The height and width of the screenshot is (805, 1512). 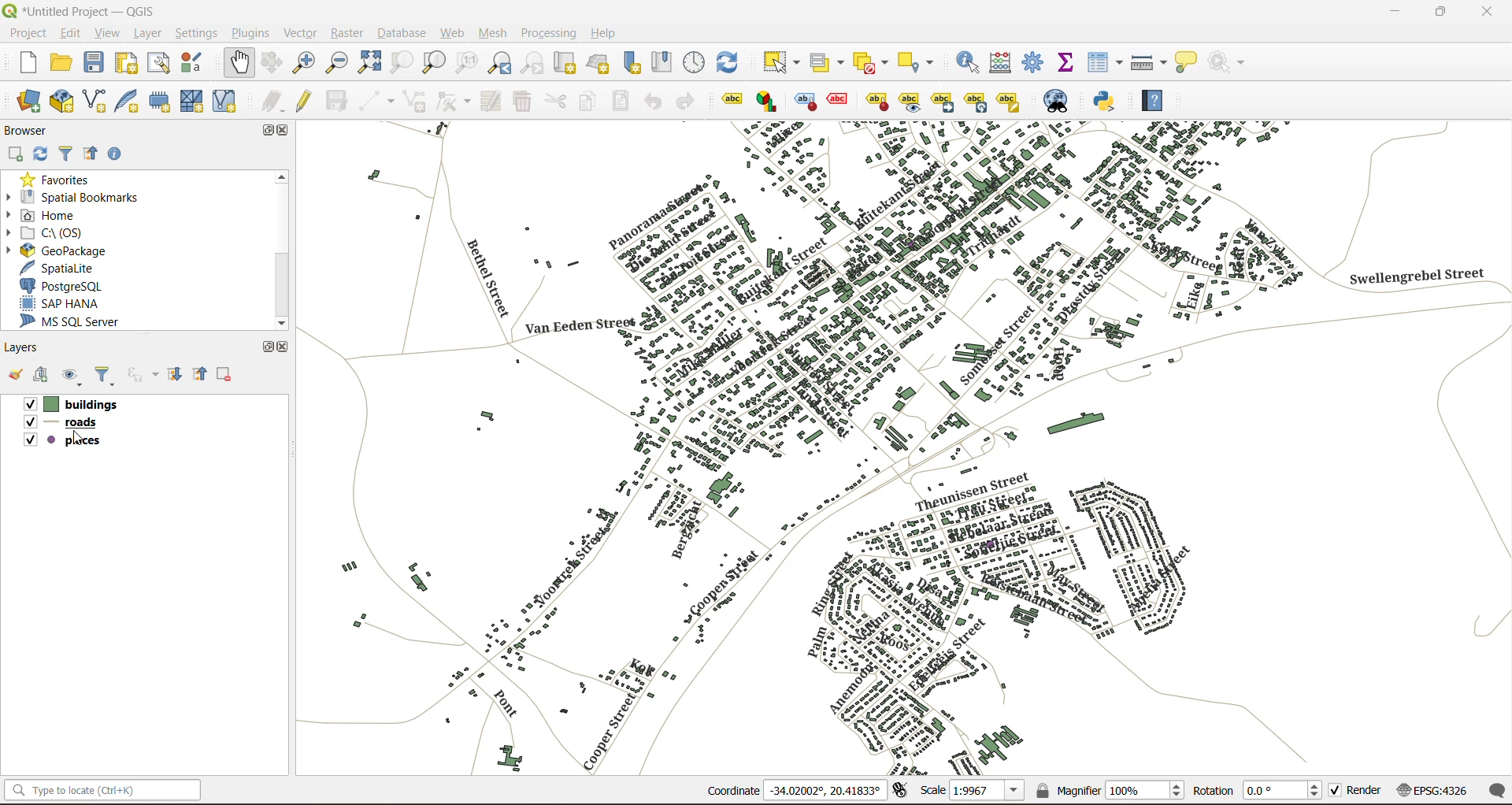 What do you see at coordinates (251, 35) in the screenshot?
I see `plugins` at bounding box center [251, 35].